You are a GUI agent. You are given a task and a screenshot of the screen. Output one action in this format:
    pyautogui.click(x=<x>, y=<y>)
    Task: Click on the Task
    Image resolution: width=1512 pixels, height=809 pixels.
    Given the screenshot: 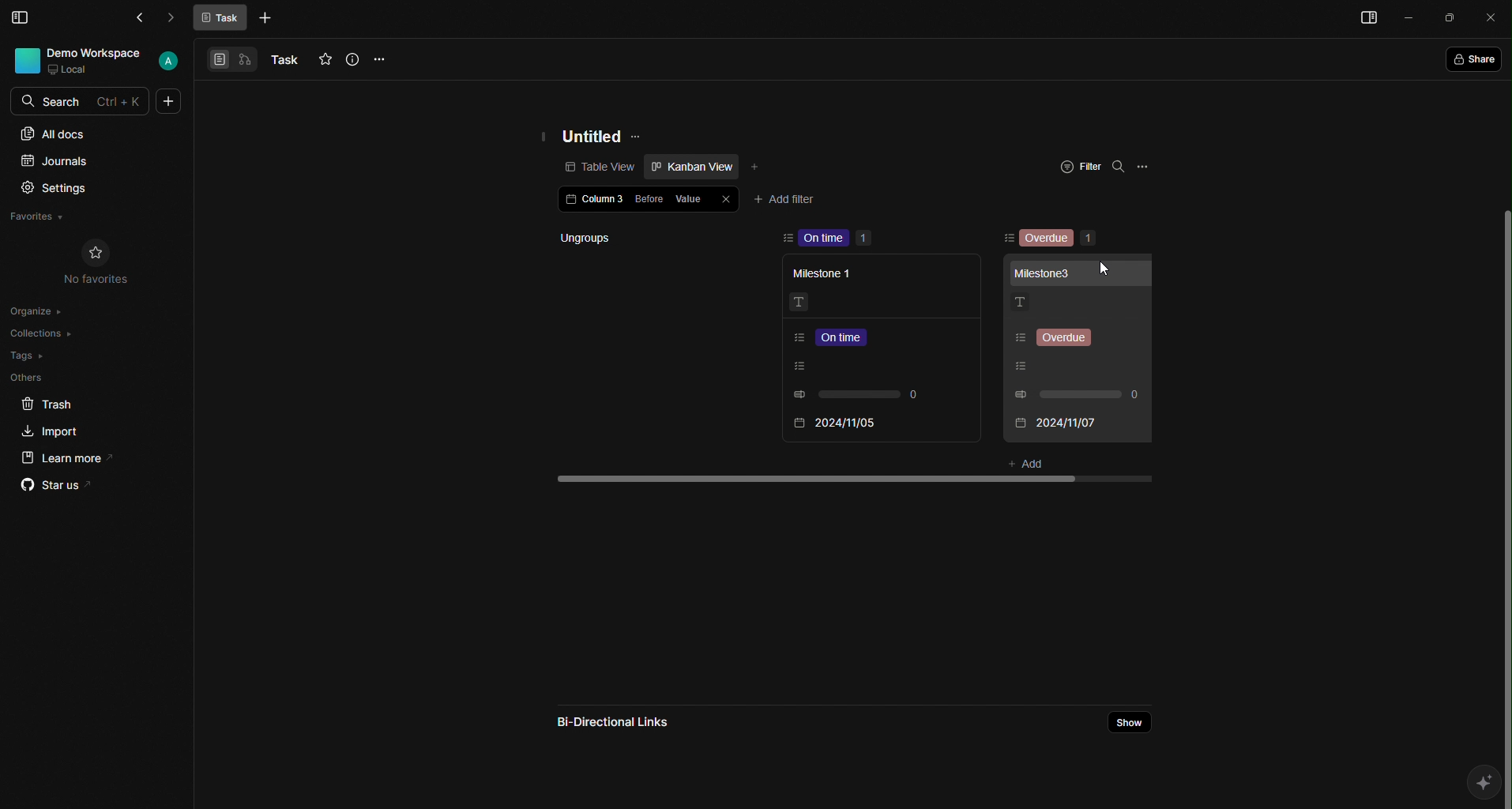 What is the action you would take?
    pyautogui.click(x=220, y=18)
    